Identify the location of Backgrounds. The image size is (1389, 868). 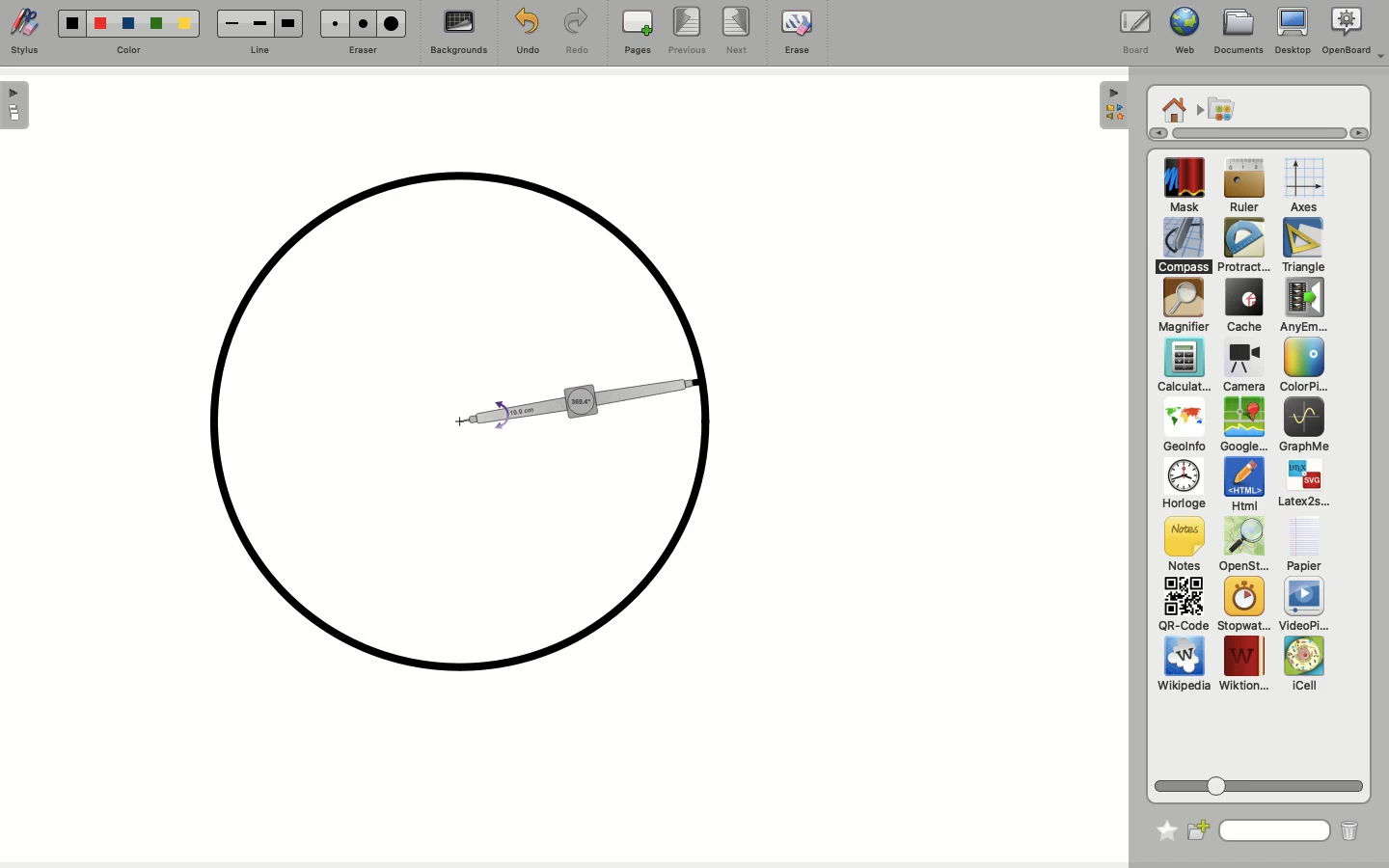
(456, 35).